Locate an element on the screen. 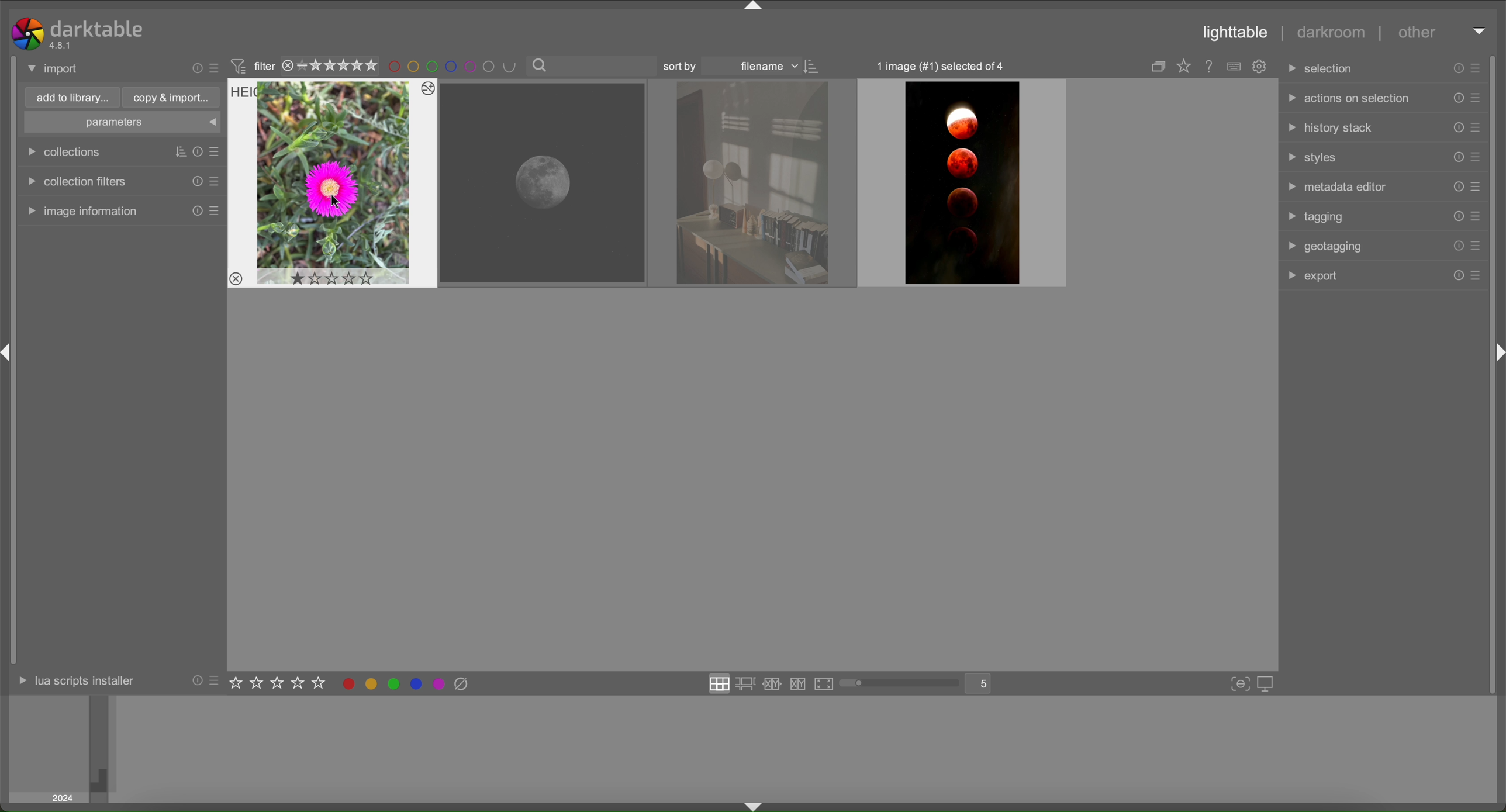 The height and width of the screenshot is (812, 1506). export tab is located at coordinates (1312, 278).